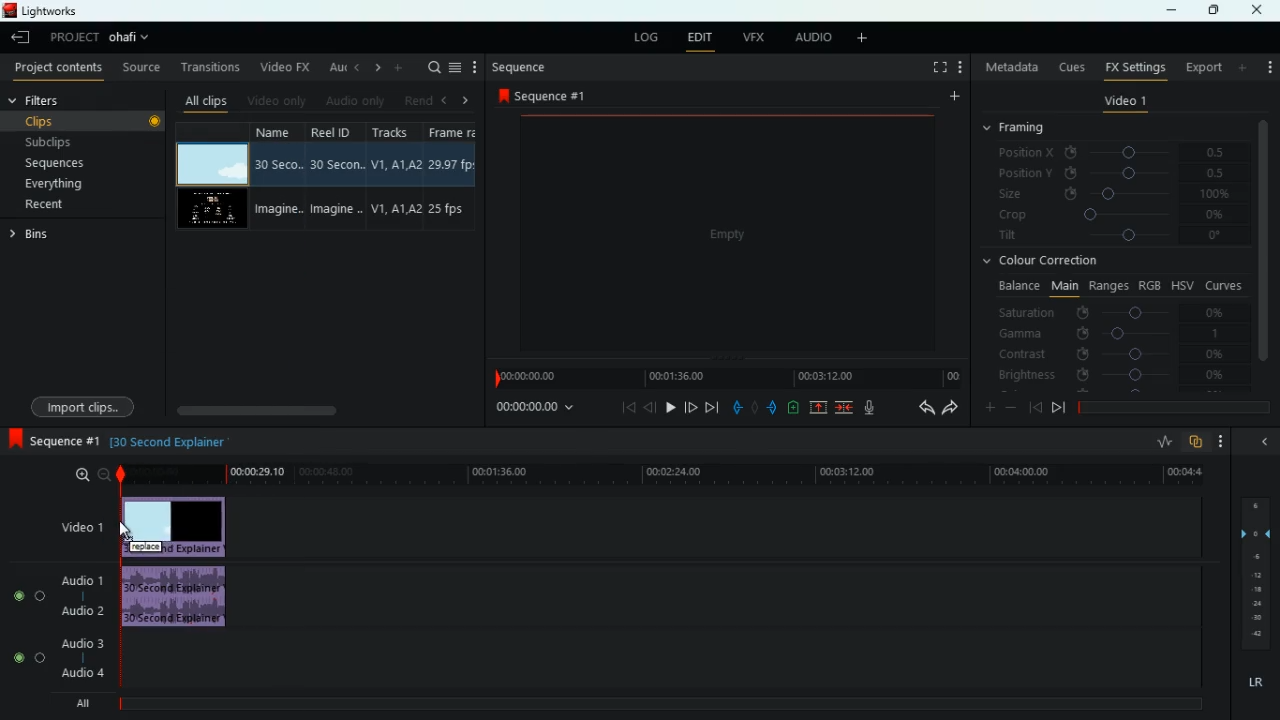 This screenshot has width=1280, height=720. I want to click on audio, so click(352, 100).